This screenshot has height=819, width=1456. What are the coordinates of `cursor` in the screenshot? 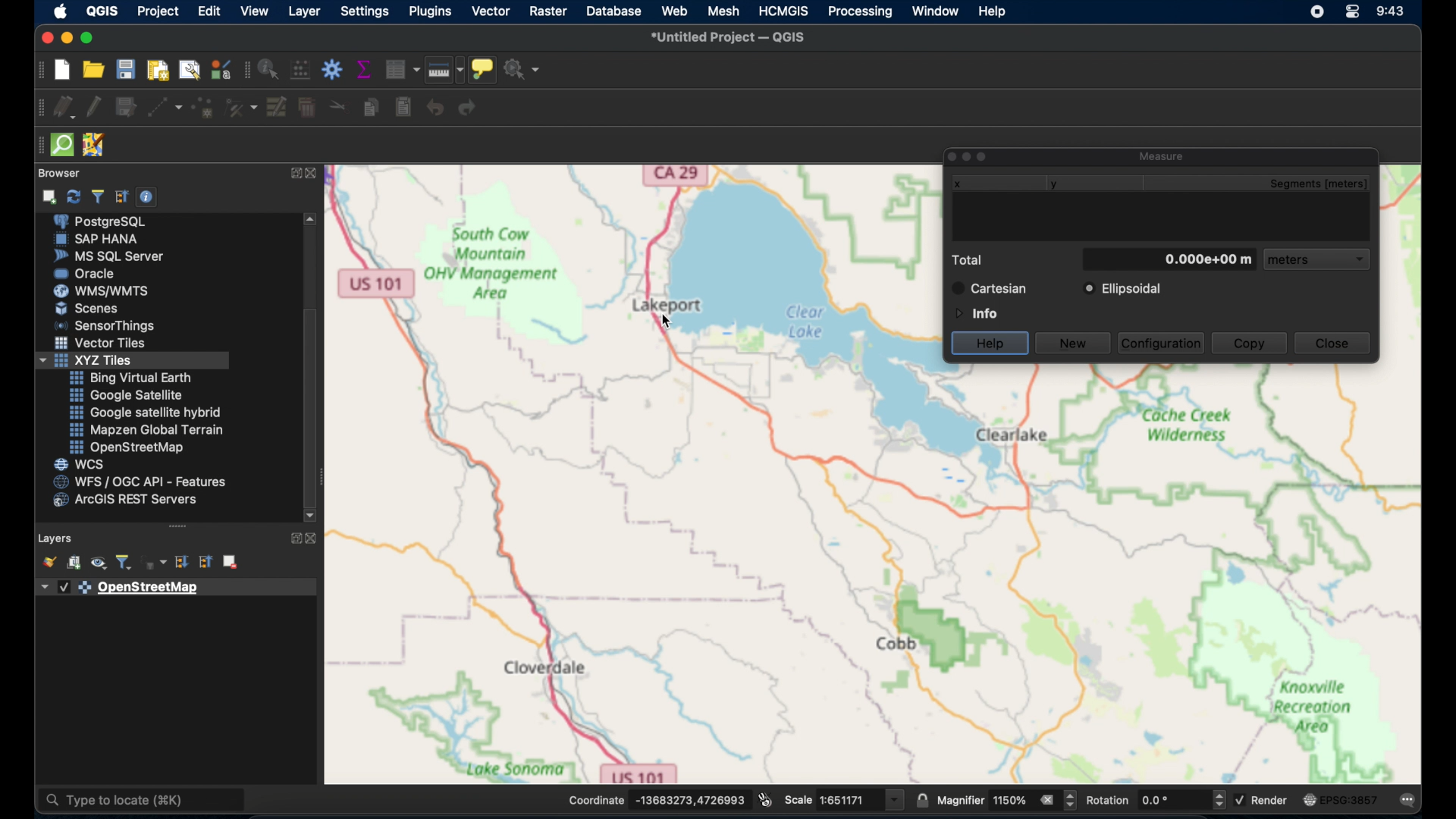 It's located at (666, 322).